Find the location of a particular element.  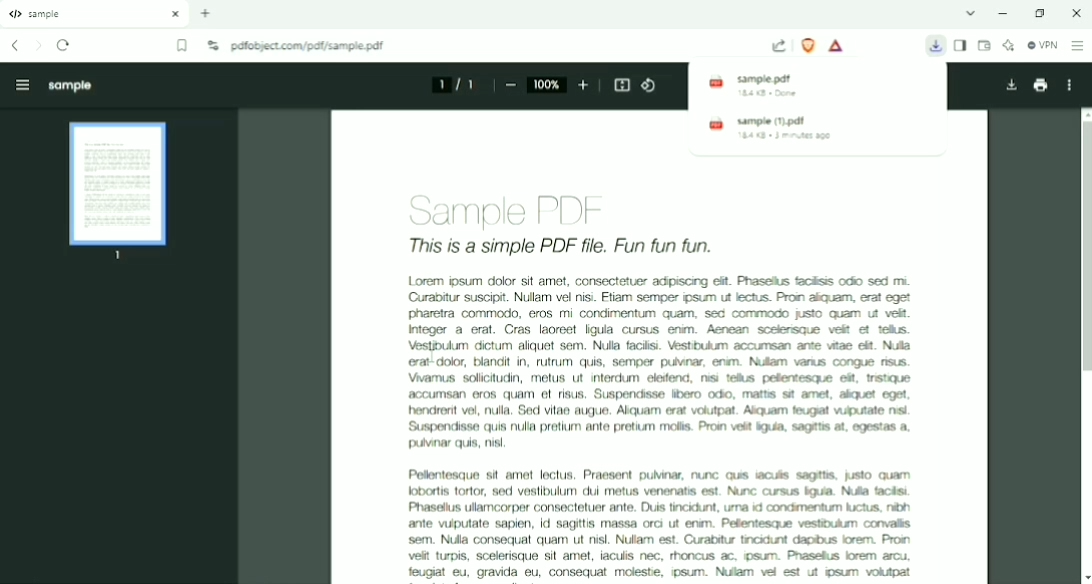

Lorem ipsum dolor sit amet, consectetuer adpscing eit. Phasellus tacksis odo sed mi.
Curabitur suscipt. Nullam vel nis. Efiam semper psum ut lectus. Pron aiuam, erat eget
pharetra commodo, ros mi condimentum quam, sec COmMOCO SIO Quam uf vel.
Integer a eral. Cras laoreet guia cursus enim. Aenean scslersque vet ef teks.
Vestioubm dictum aliquot sem. Nulla facisi. Vestbukm accumsan ante wiae eit. Nua
erat’ dolor, blandit in, rutrum quis, semper punar, enem. Nulam vans COgue Mss.
Vhamus soliciudin, melus ut interdum eledend, nsi teks pellentesque of, Irstque
accumsan eros quam of risus. Suspendisse Ibe odo, matts st amet, akquet eget,
‘hendrerit ve, nulla. Sed vitae augue. Alquarm erat vokitpat. Alam feugat waptate ns
Suspendisse quis nulla pretum ante pretium mols. Pron vest ku, sages at, egestas a.
uve quis, nil

Polontesque si ame lectus. Praesent pubinar, nunc us acs sagt, sto quam
lobortis tortor, sed vestibulum dul metus venenatis est. Nunc cursus igus. Nua tacks
Phasefus ullamcorper consectetuer ante. Dus tincidunt, uma i conamenturm kictus, nibh
ante vuputate sapien, Id sagitis massa orci ut enn. Pefentesque vestioukm Convalls
‘sem. Nulla consequat quam ut nisl, Nullam est. Curabitur tincidunt dapibus lorem. Pron
eit turpis, scelerisque Si Amel, iacuiis nec, oncus ac. sum. Praselus lorem arcu.
feugiat eu, gravida eu, consequat molestie, ipsum. Nullam vel est ut sum vohspat is located at coordinates (657, 426).